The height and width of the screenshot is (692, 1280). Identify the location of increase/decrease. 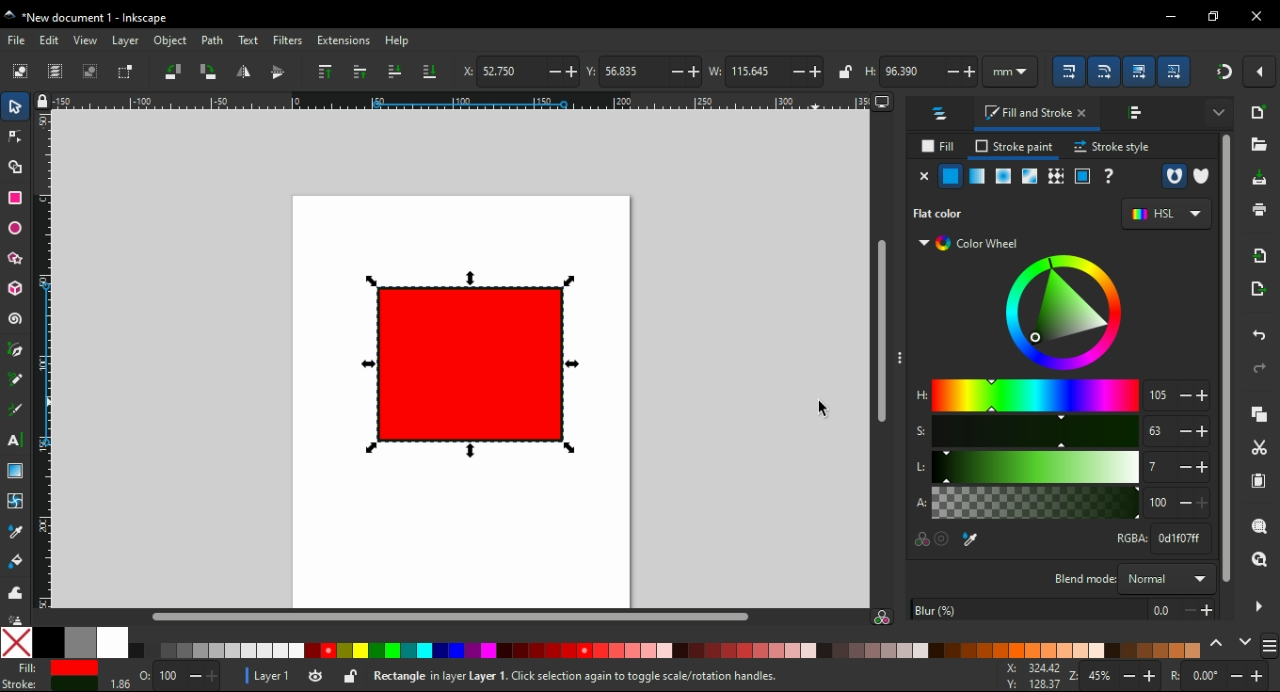
(203, 676).